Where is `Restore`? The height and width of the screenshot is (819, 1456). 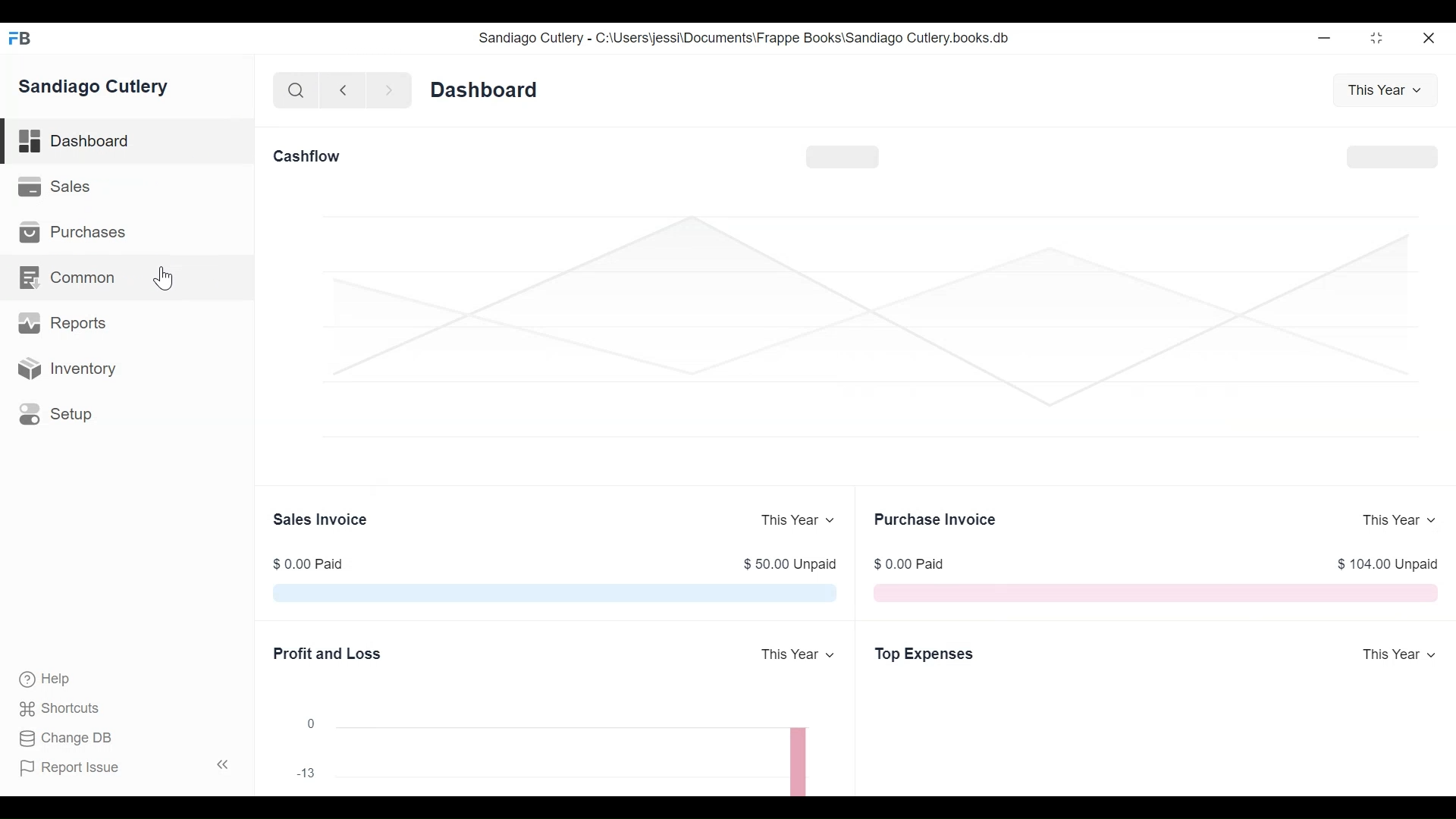
Restore is located at coordinates (1379, 37).